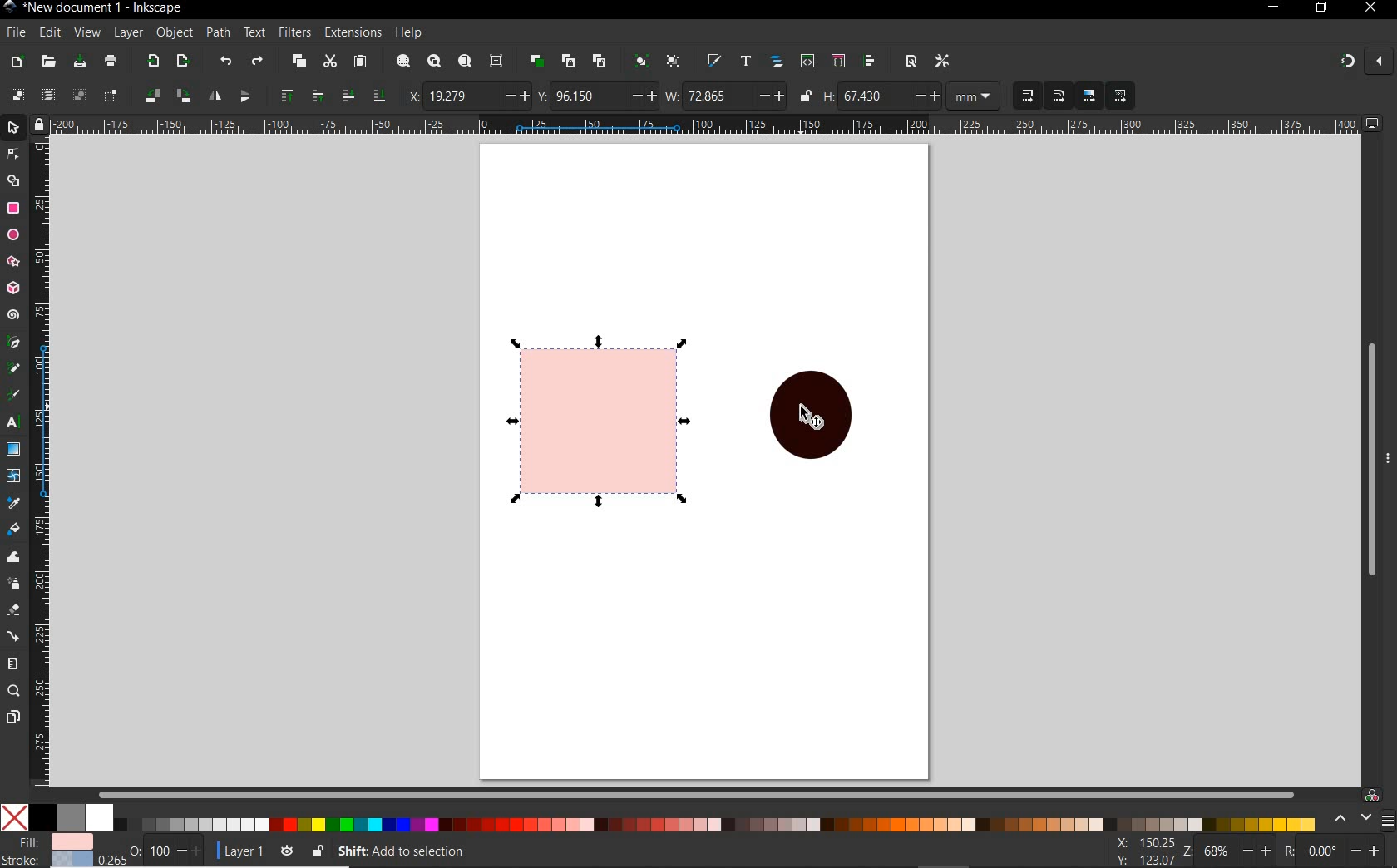  I want to click on select all, so click(17, 95).